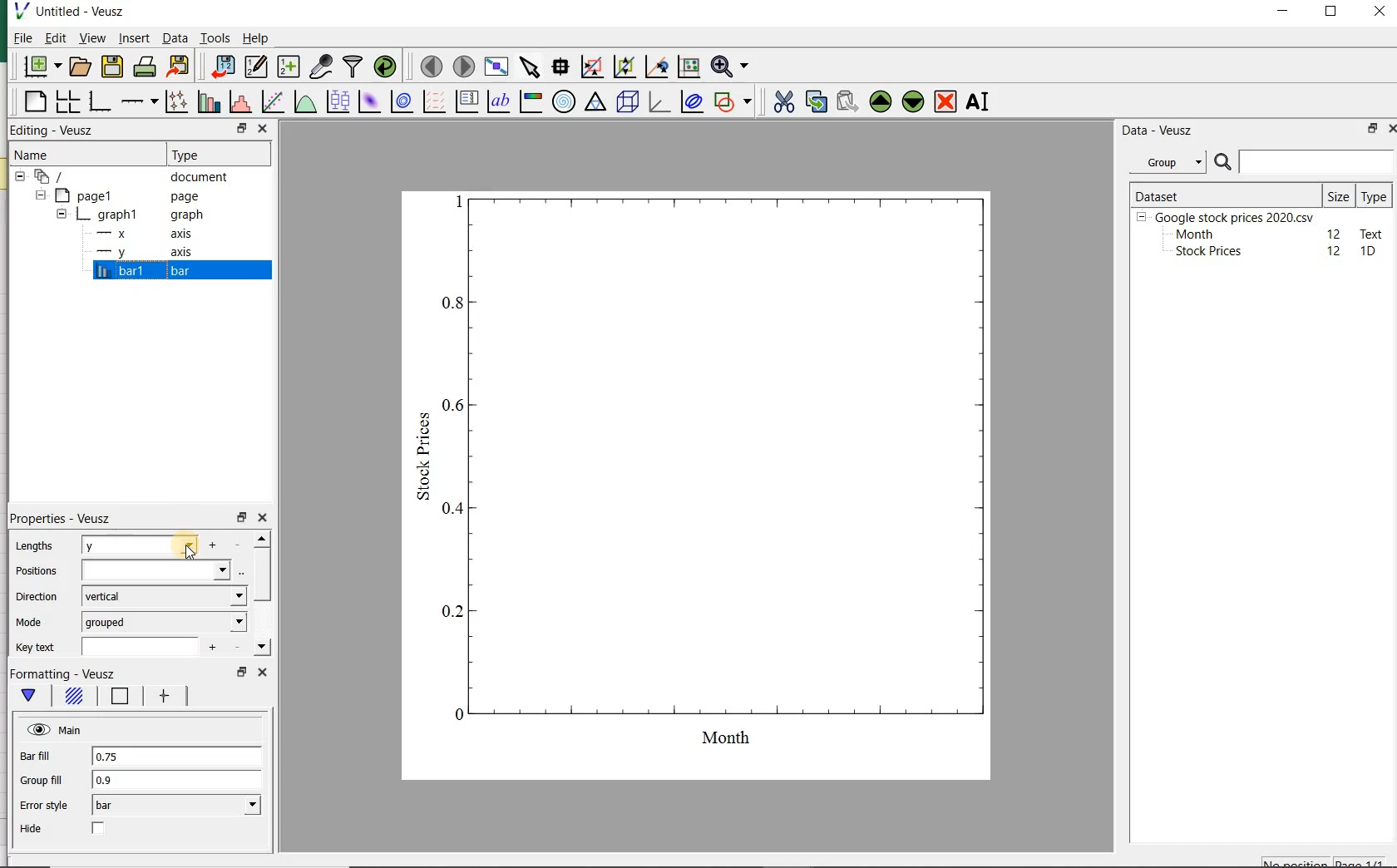 This screenshot has width=1397, height=868. What do you see at coordinates (31, 828) in the screenshot?
I see `Hide` at bounding box center [31, 828].